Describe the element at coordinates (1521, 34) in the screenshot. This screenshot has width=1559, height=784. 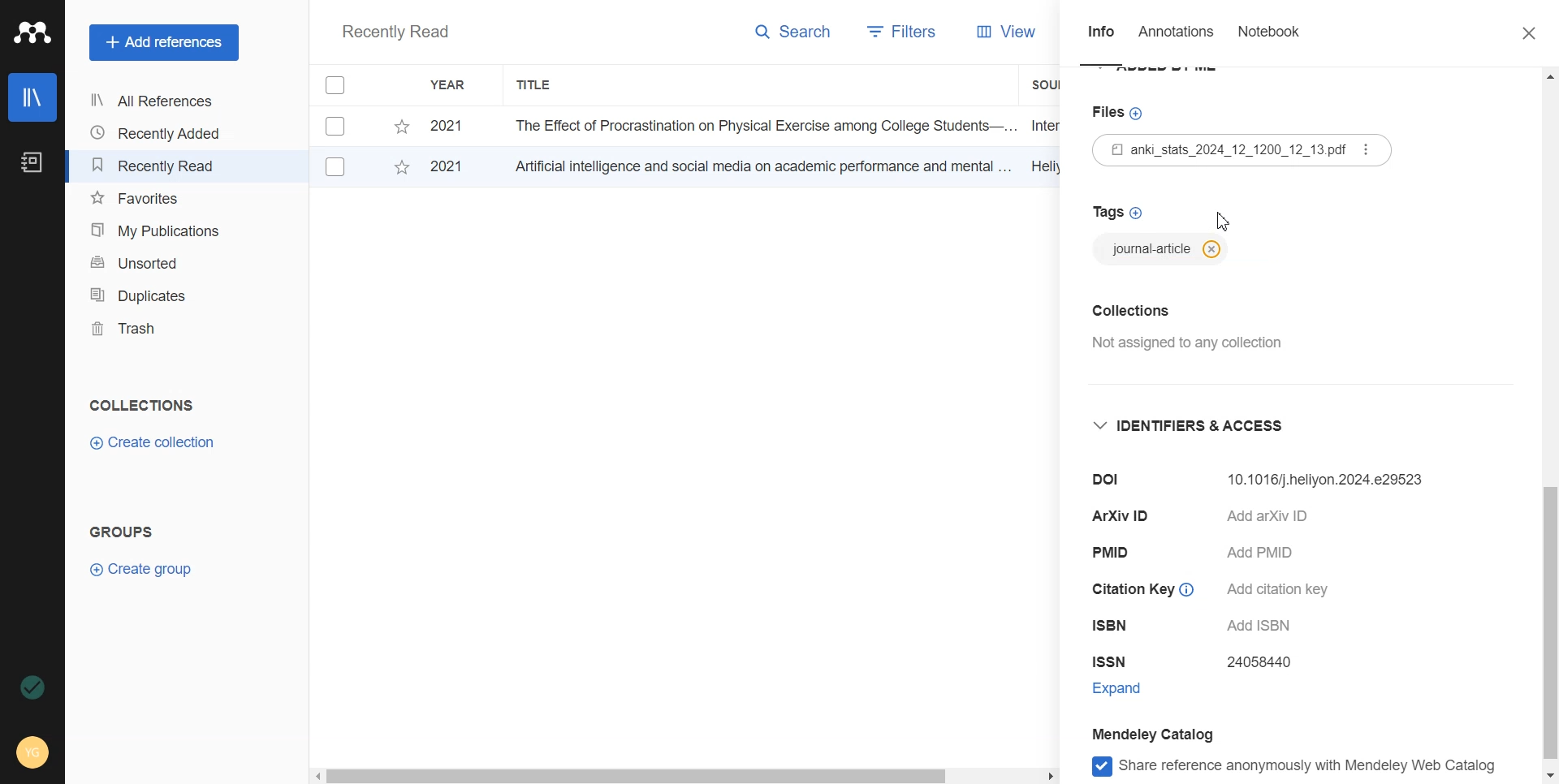
I see `Close ` at that location.